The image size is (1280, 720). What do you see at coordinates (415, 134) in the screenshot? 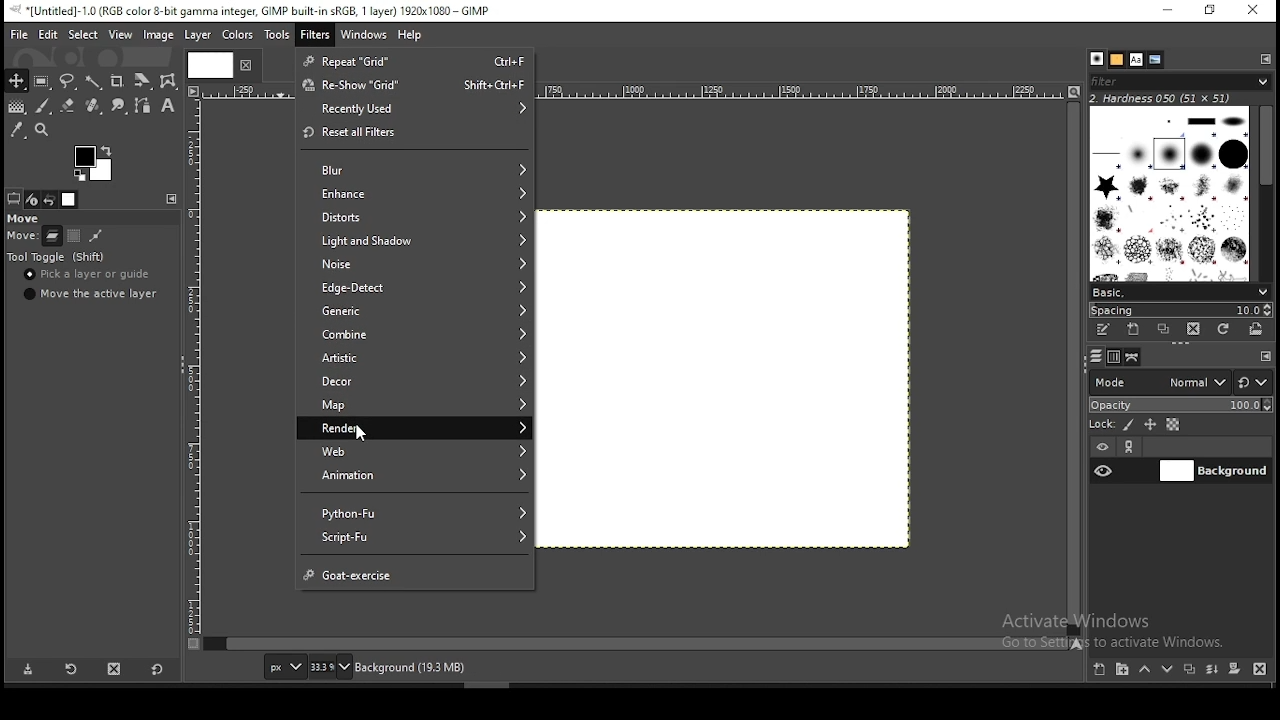
I see `reset all filters` at bounding box center [415, 134].